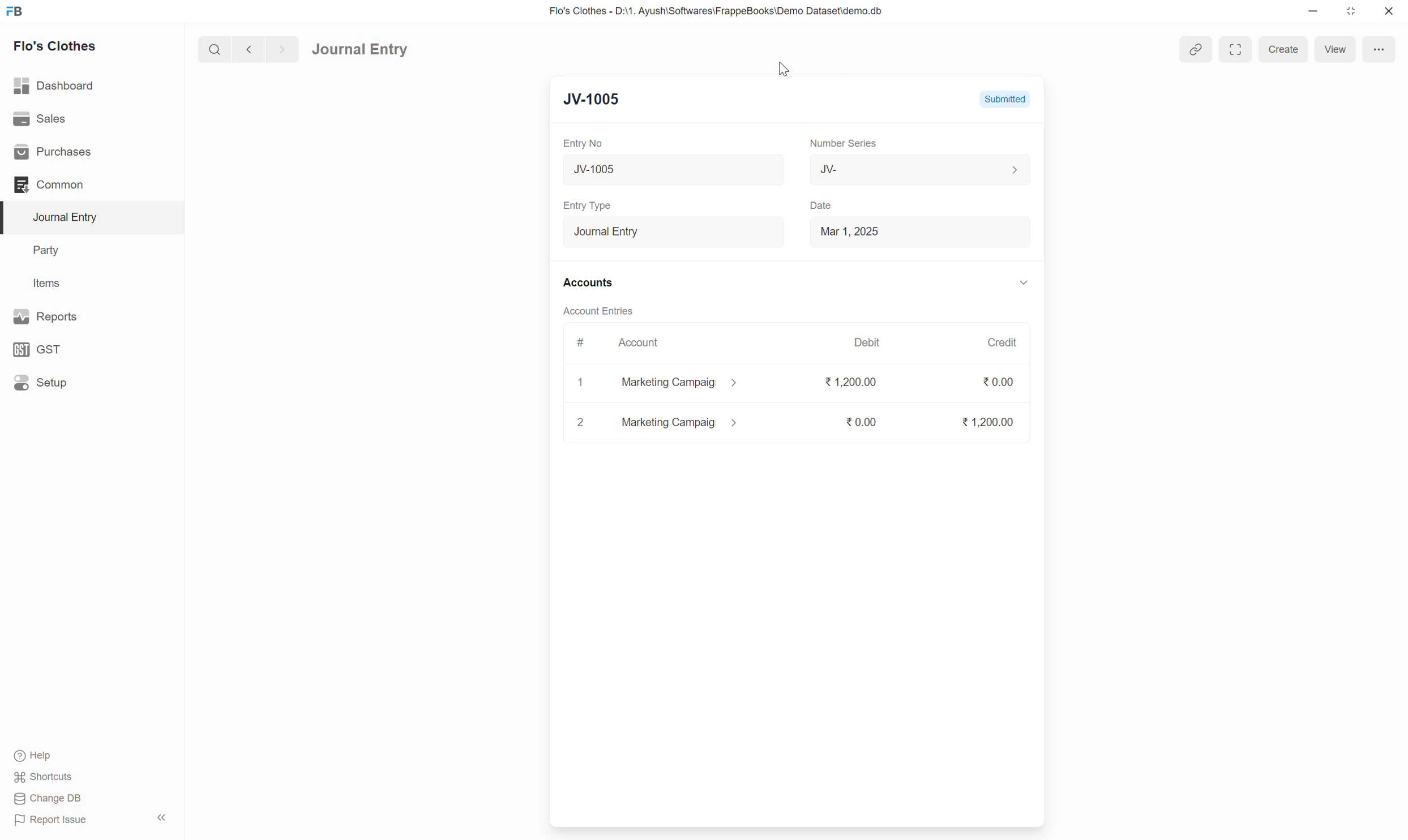  I want to click on JV-, so click(921, 169).